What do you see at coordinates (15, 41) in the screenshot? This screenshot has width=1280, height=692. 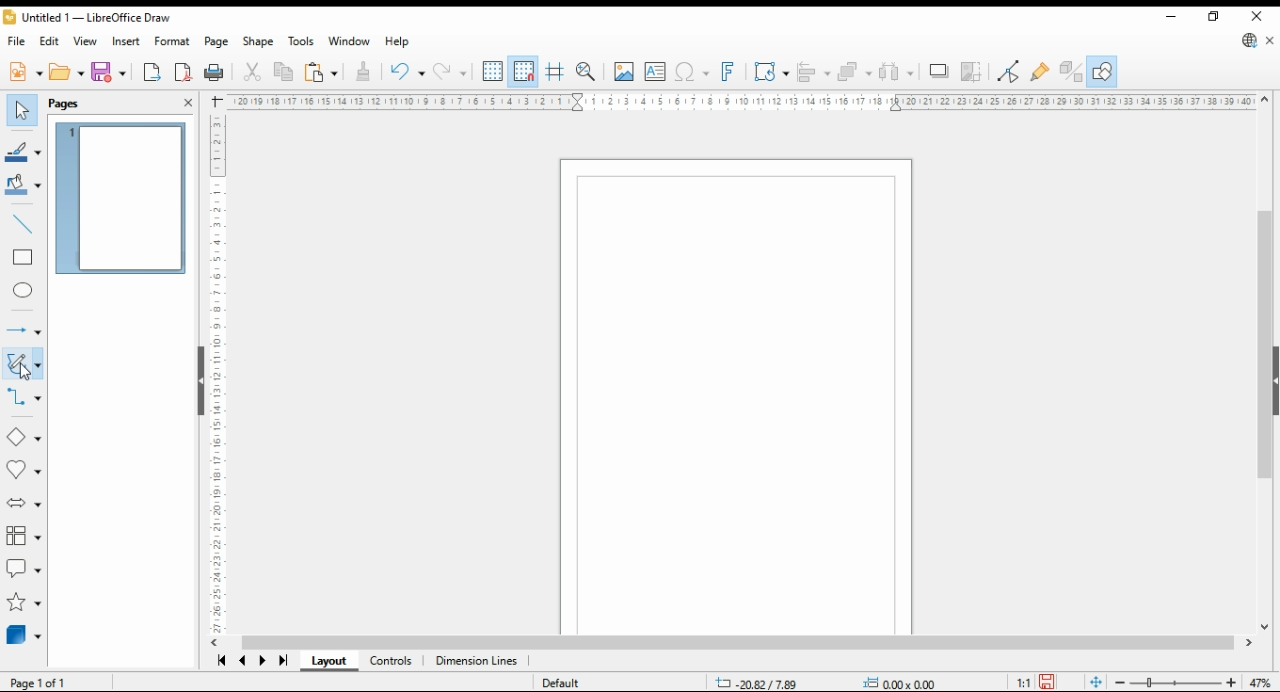 I see `file` at bounding box center [15, 41].